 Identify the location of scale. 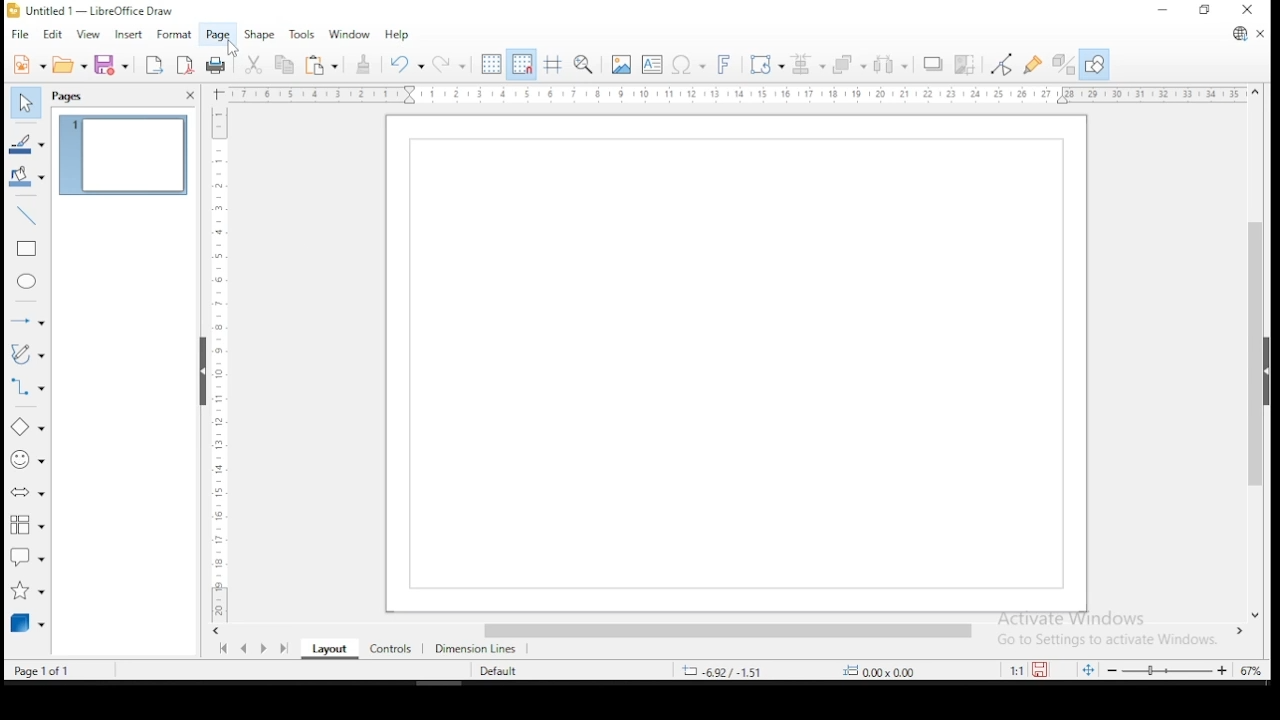
(219, 364).